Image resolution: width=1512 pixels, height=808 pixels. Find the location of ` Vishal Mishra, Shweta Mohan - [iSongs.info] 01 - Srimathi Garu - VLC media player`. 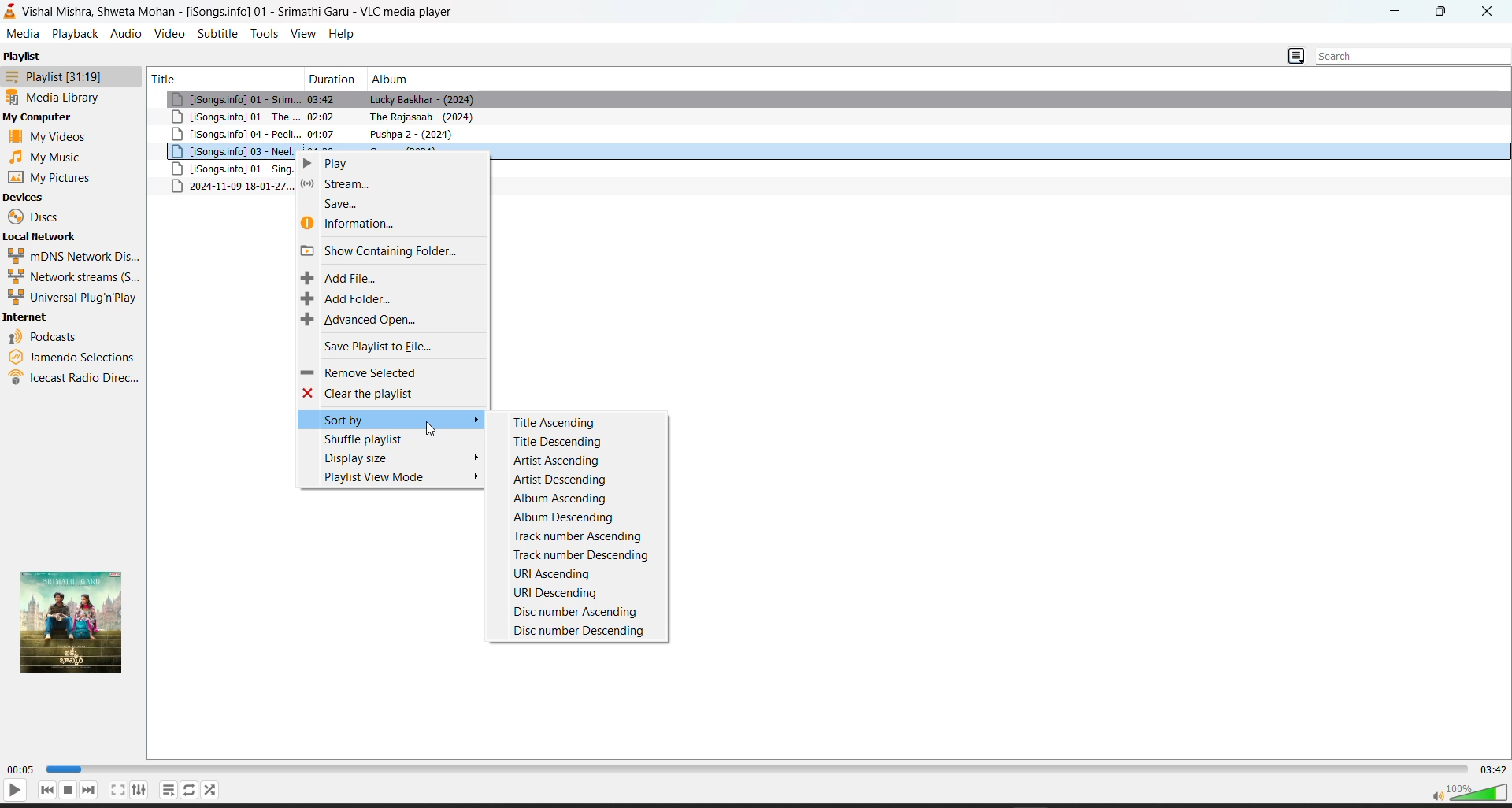

 Vishal Mishra, Shweta Mohan - [iSongs.info] 01 - Srimathi Garu - VLC media player is located at coordinates (238, 13).